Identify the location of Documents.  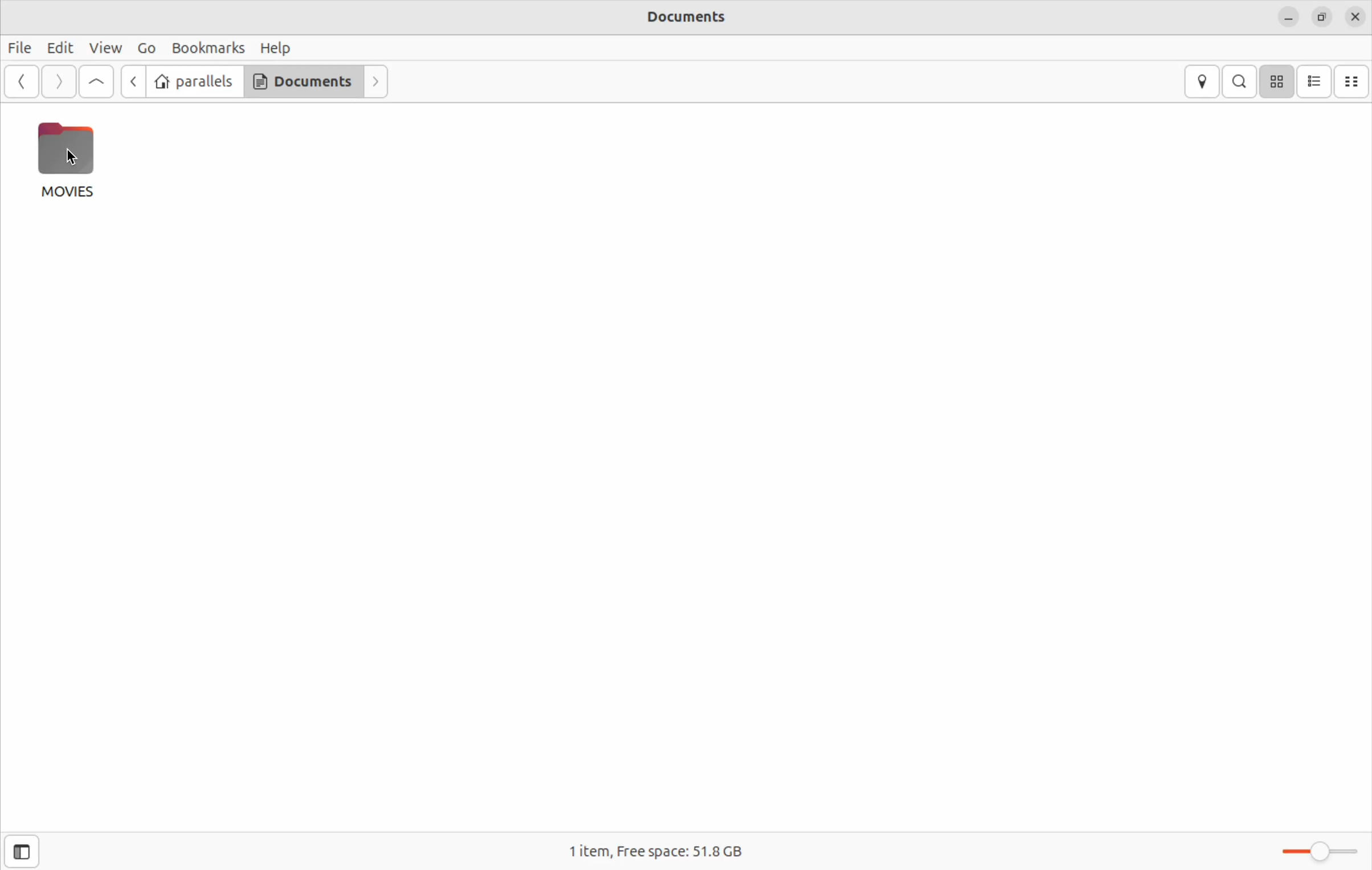
(682, 18).